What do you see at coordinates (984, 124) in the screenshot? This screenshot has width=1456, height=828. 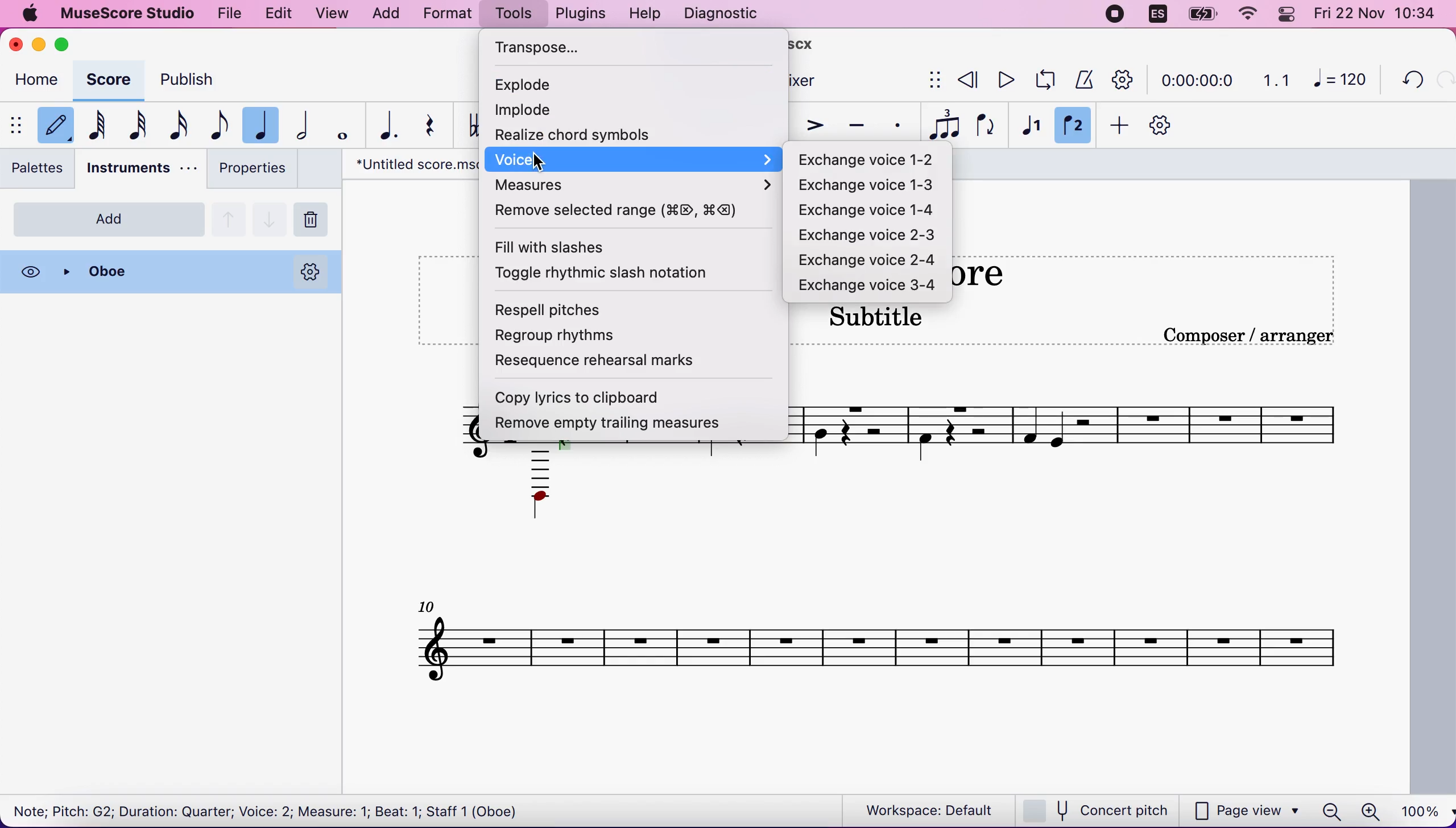 I see `flip direction` at bounding box center [984, 124].